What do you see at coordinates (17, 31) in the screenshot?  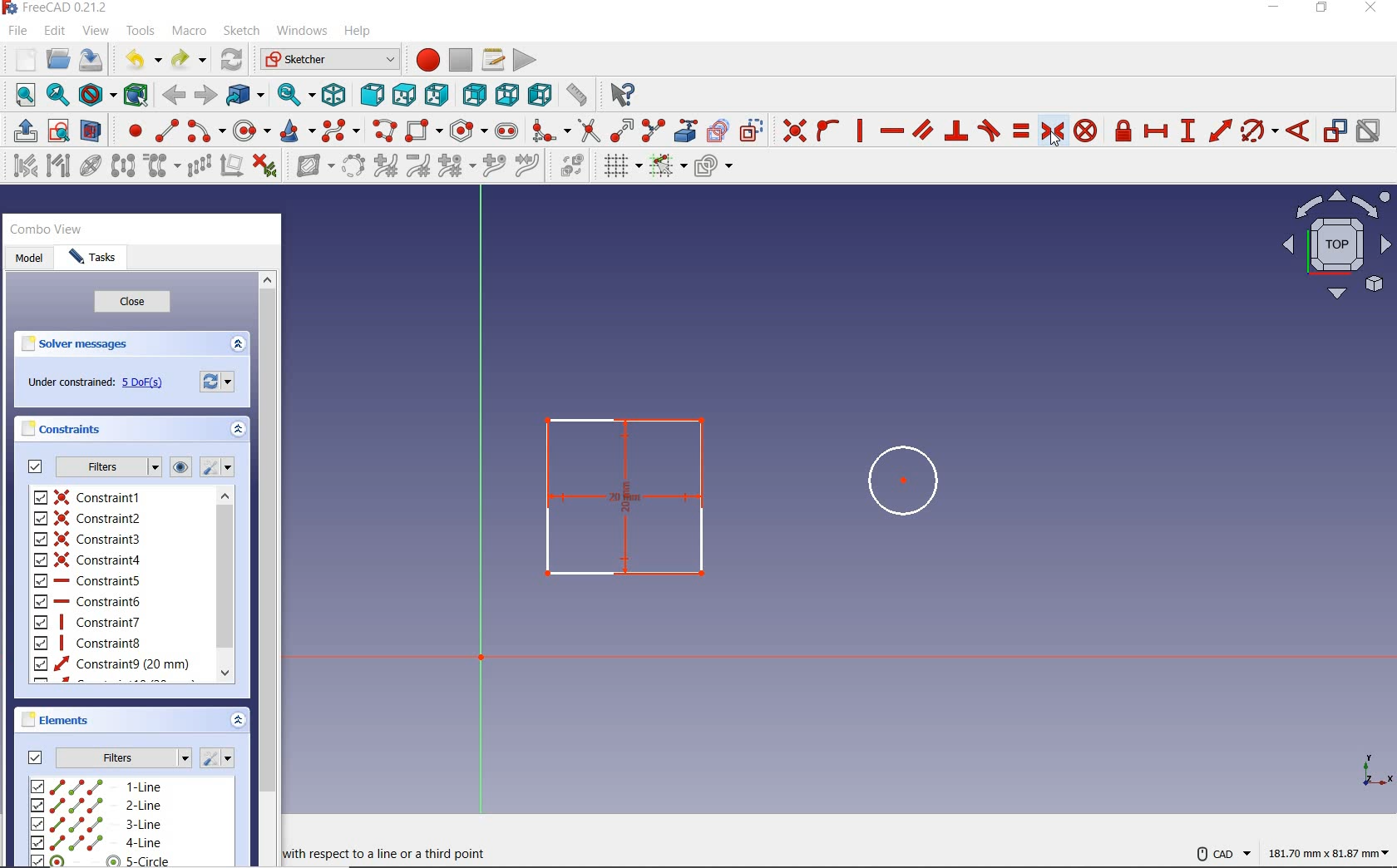 I see `file` at bounding box center [17, 31].